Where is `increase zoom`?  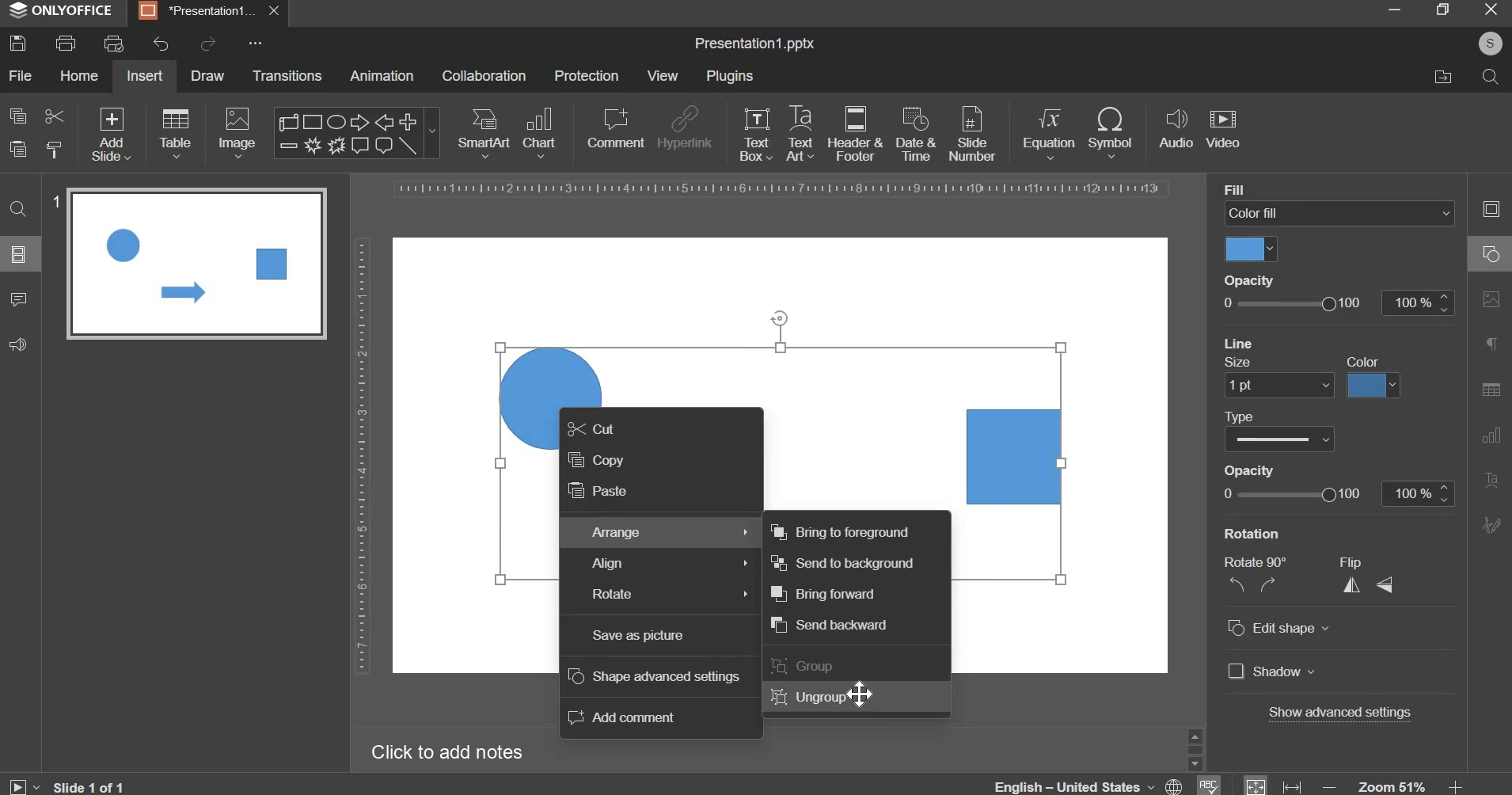
increase zoom is located at coordinates (1457, 785).